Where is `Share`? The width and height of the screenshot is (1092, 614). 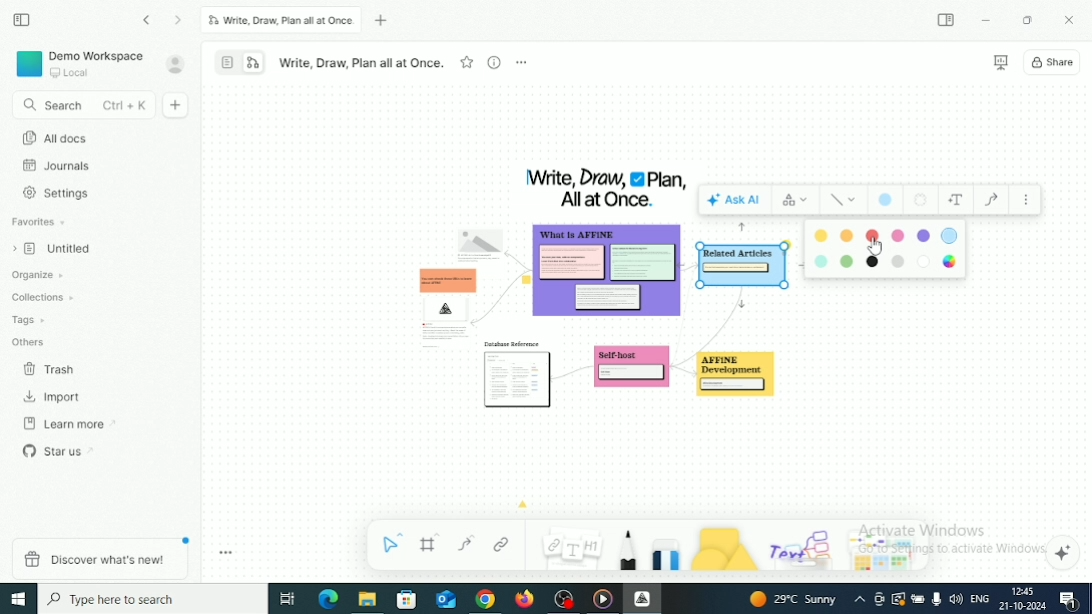 Share is located at coordinates (1054, 62).